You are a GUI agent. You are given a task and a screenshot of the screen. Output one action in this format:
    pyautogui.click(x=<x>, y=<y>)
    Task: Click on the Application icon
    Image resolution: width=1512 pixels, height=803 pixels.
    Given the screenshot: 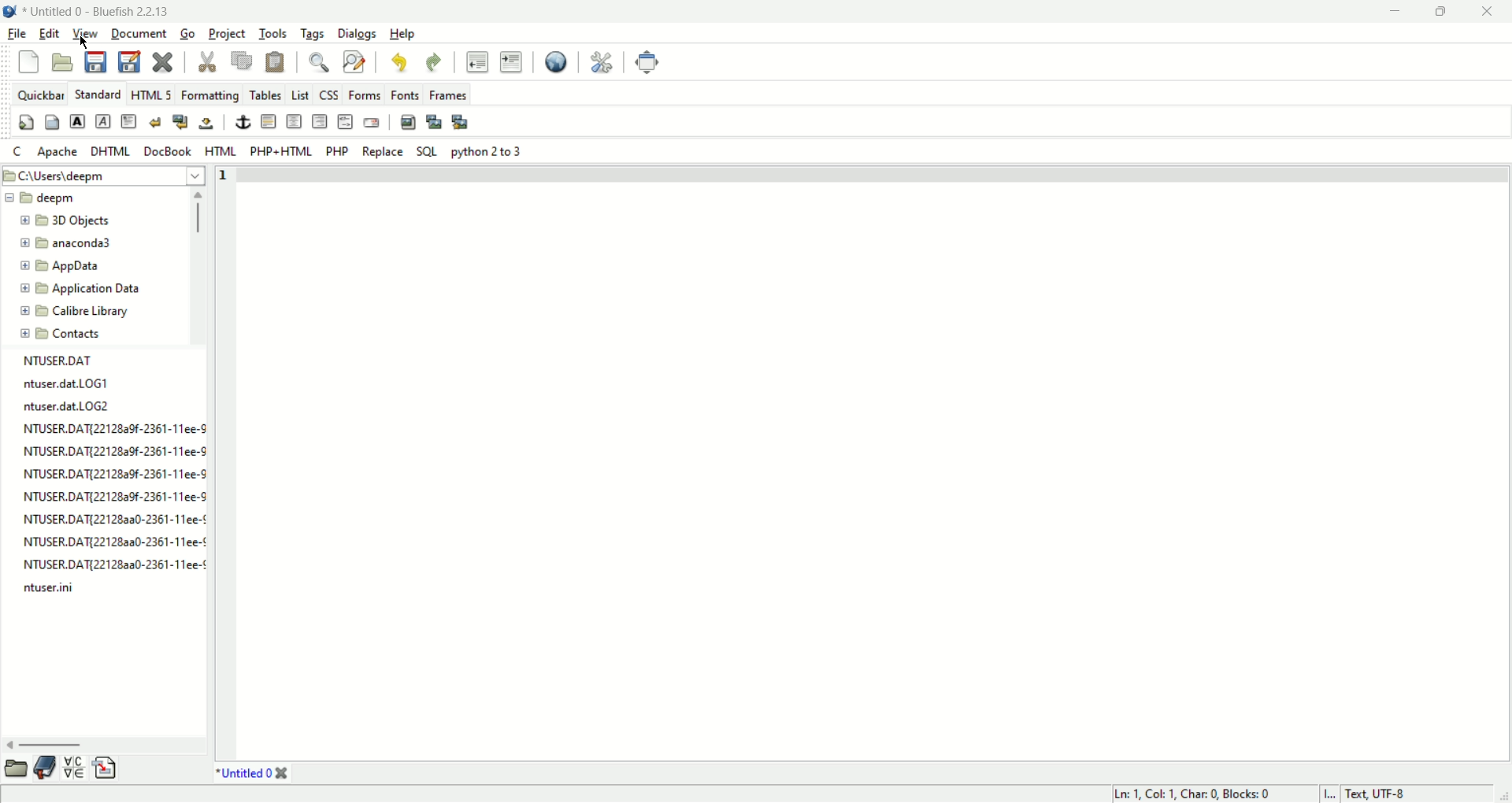 What is the action you would take?
    pyautogui.click(x=9, y=9)
    